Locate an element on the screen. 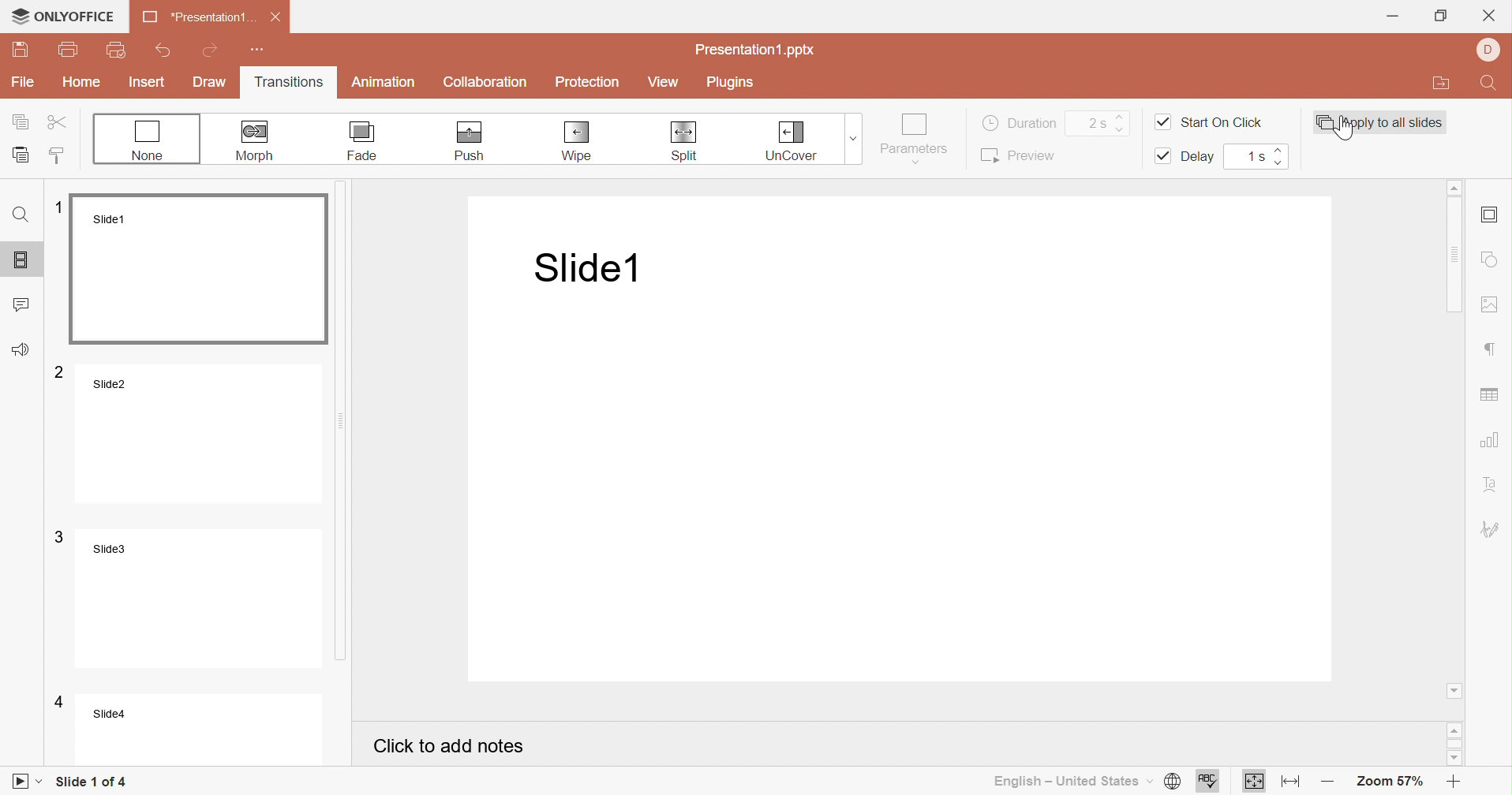 The height and width of the screenshot is (795, 1512). Scroll up is located at coordinates (1454, 186).